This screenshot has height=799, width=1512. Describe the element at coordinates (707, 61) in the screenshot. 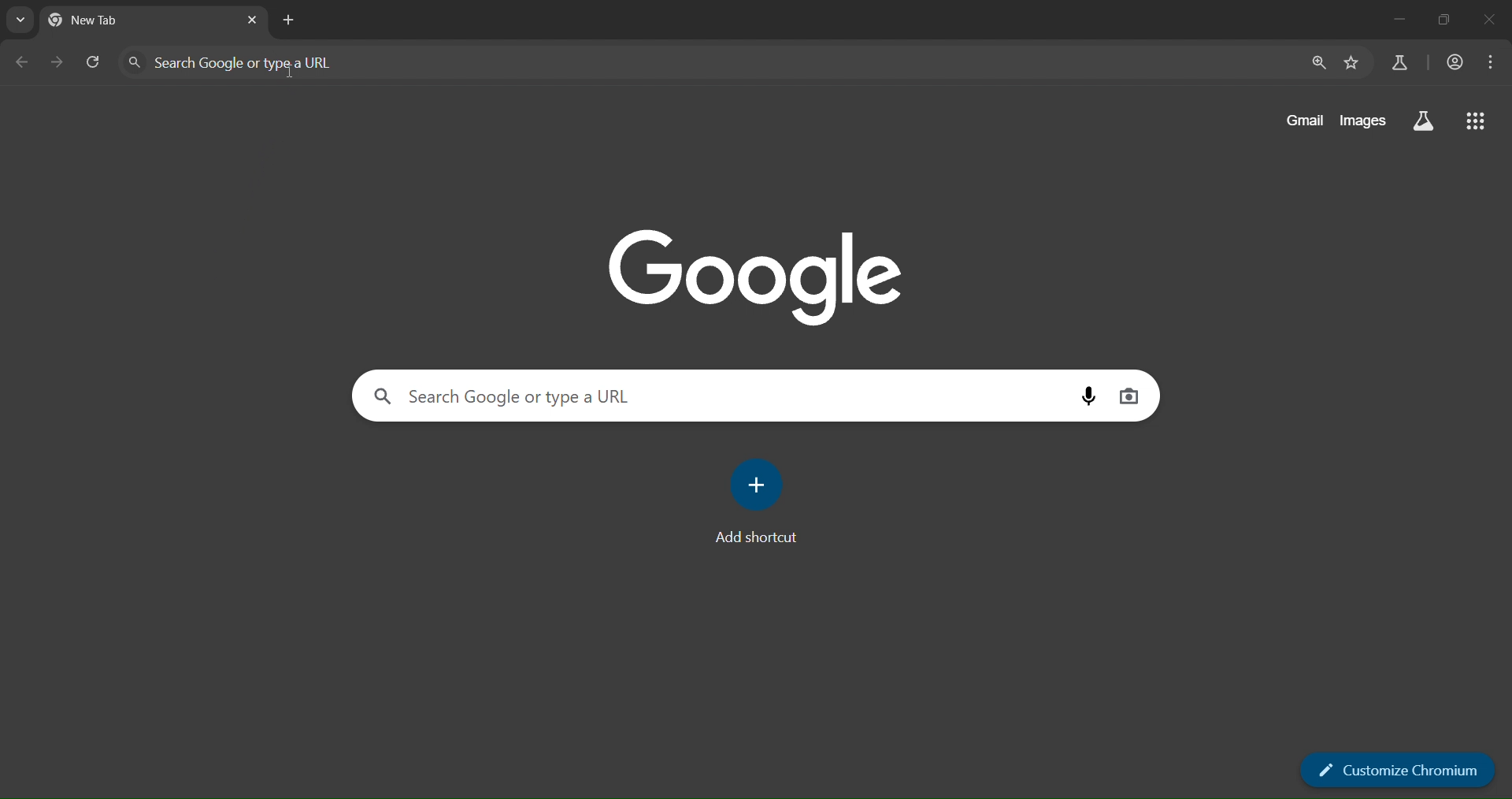

I see `Search Google or type a URL` at that location.